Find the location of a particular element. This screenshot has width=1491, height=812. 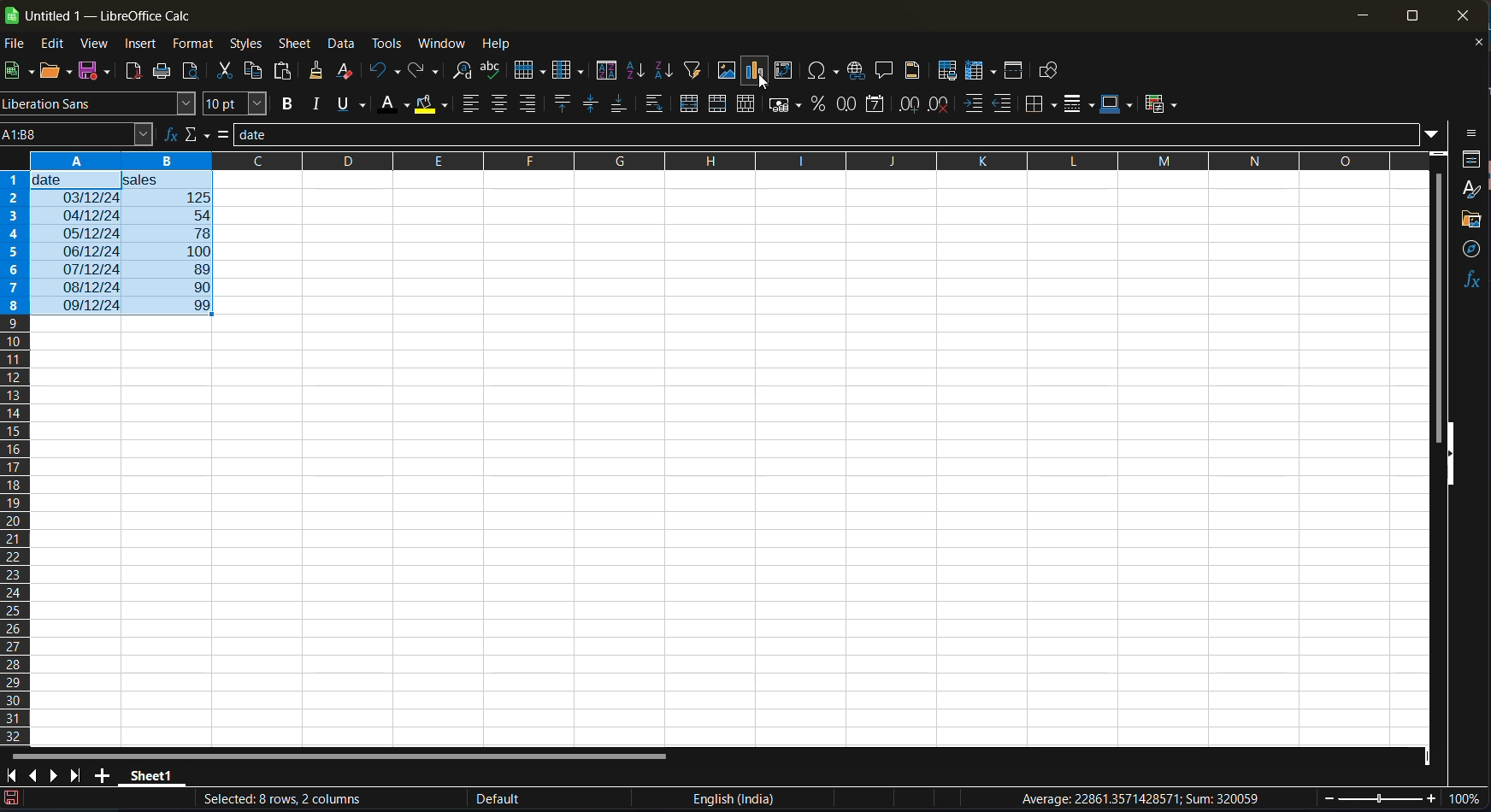

gallery is located at coordinates (1473, 221).